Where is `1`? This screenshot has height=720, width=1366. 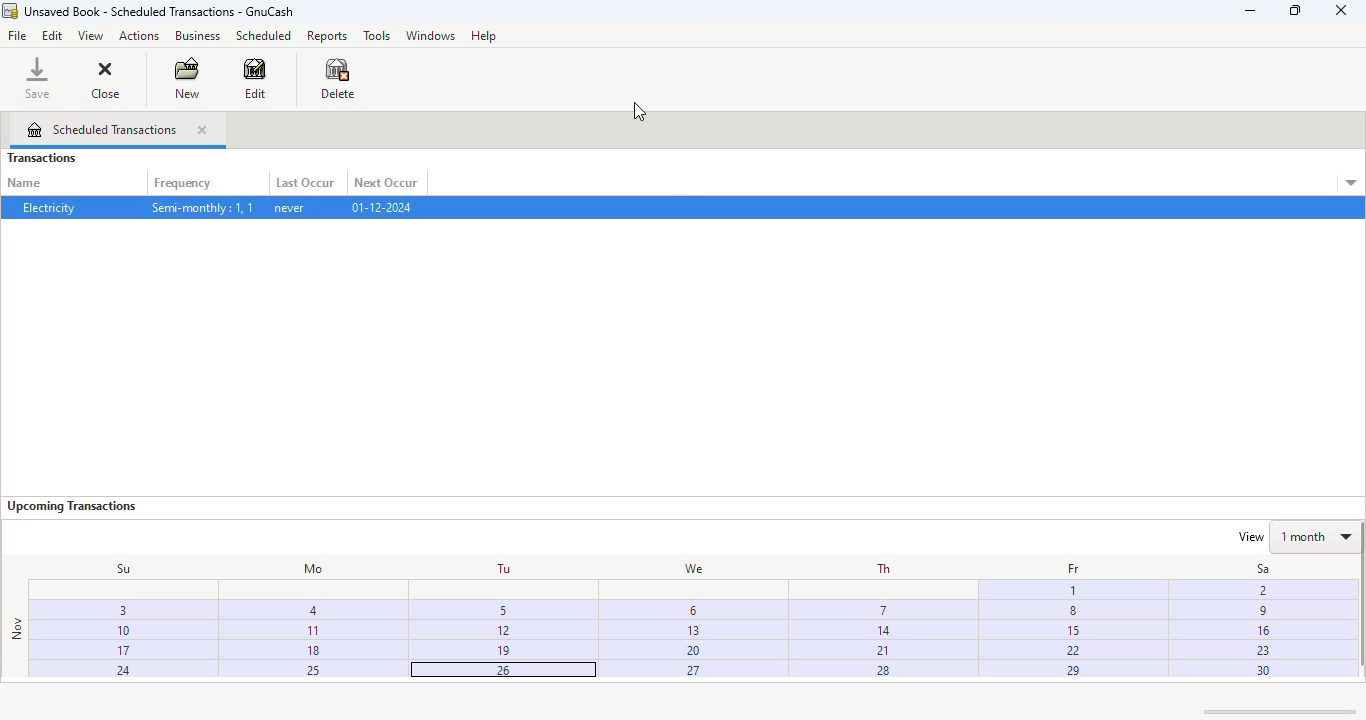 1 is located at coordinates (311, 629).